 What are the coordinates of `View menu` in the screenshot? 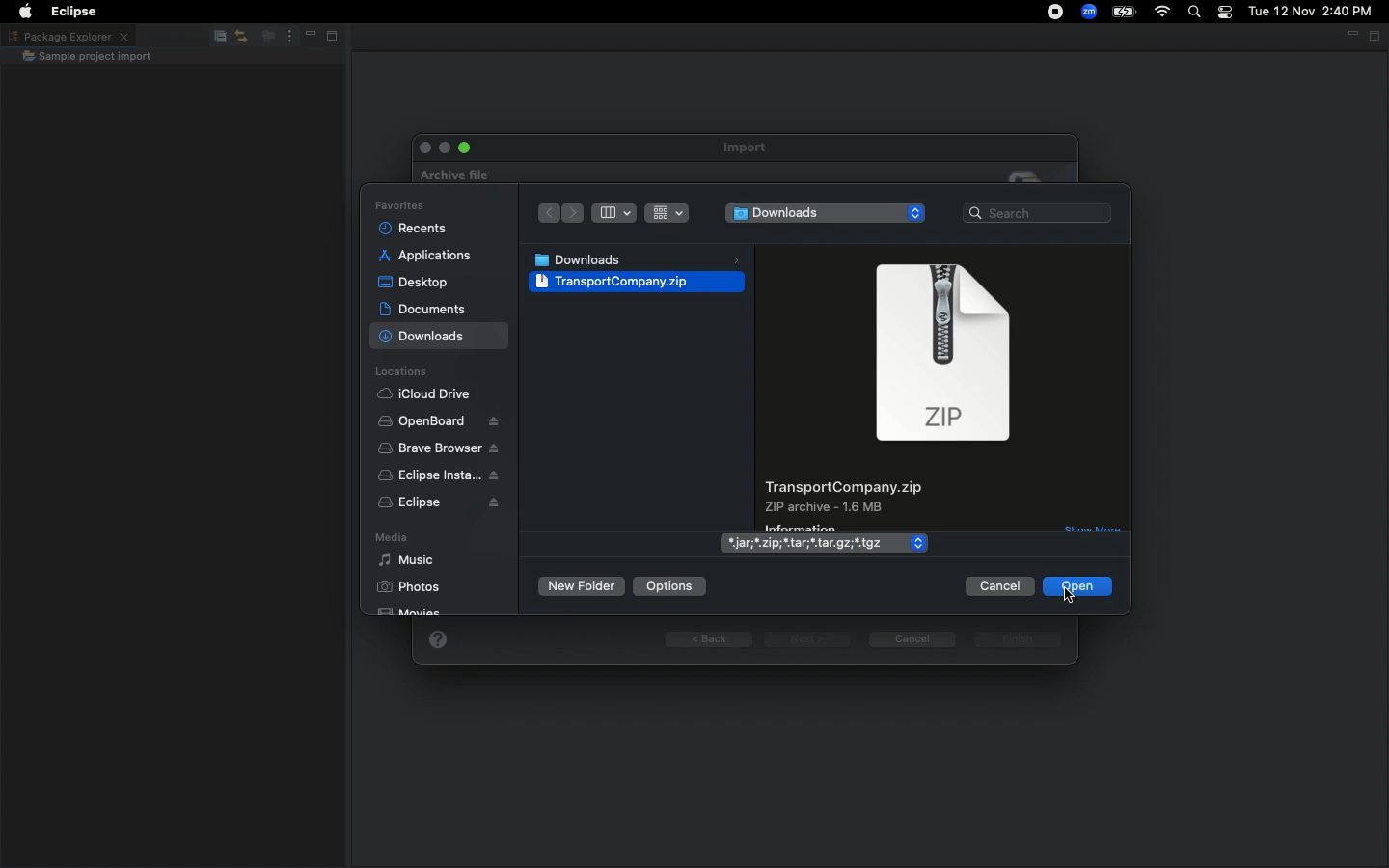 It's located at (286, 37).